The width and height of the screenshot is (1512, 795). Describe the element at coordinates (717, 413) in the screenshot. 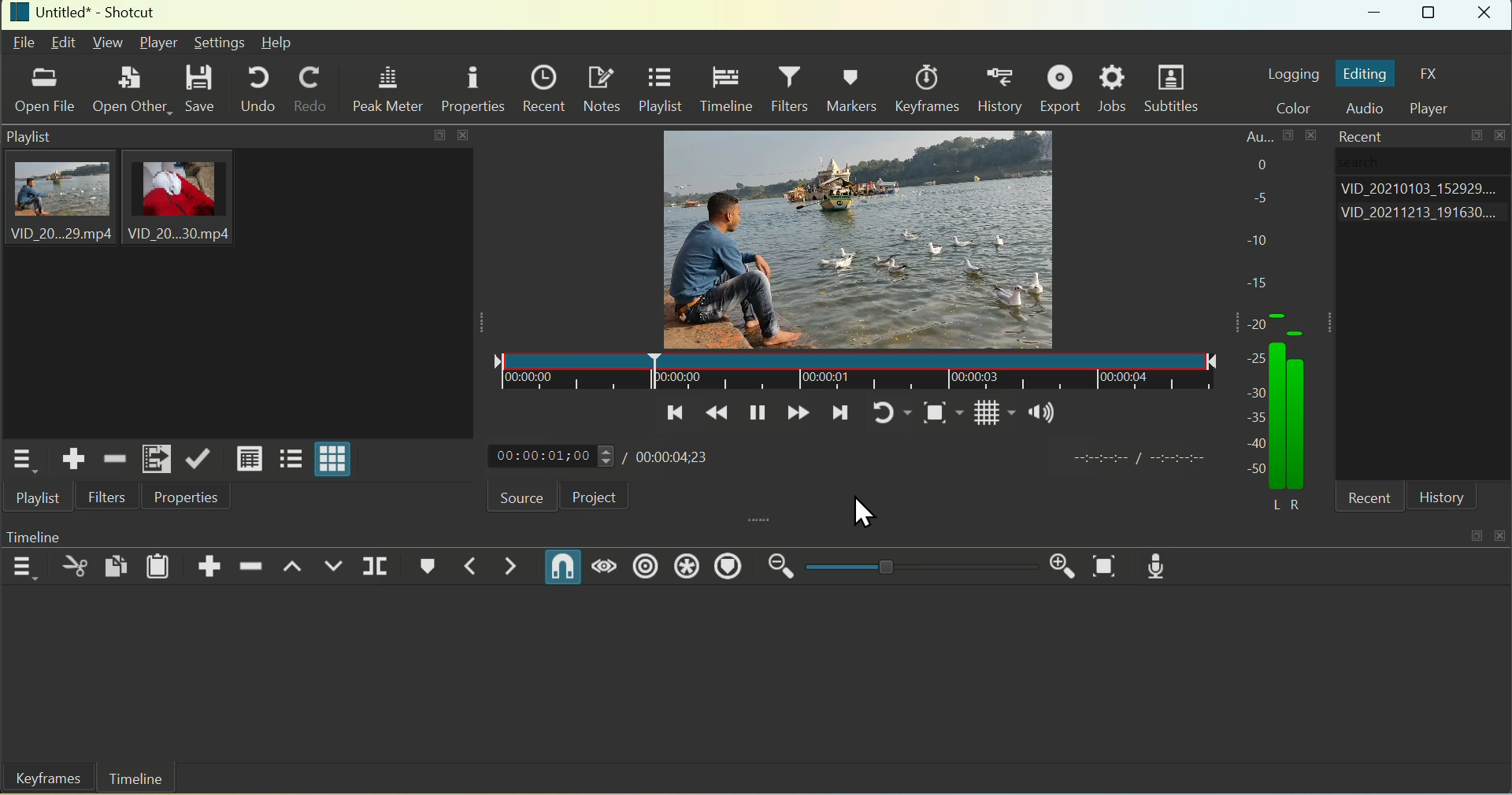

I see `Backward` at that location.